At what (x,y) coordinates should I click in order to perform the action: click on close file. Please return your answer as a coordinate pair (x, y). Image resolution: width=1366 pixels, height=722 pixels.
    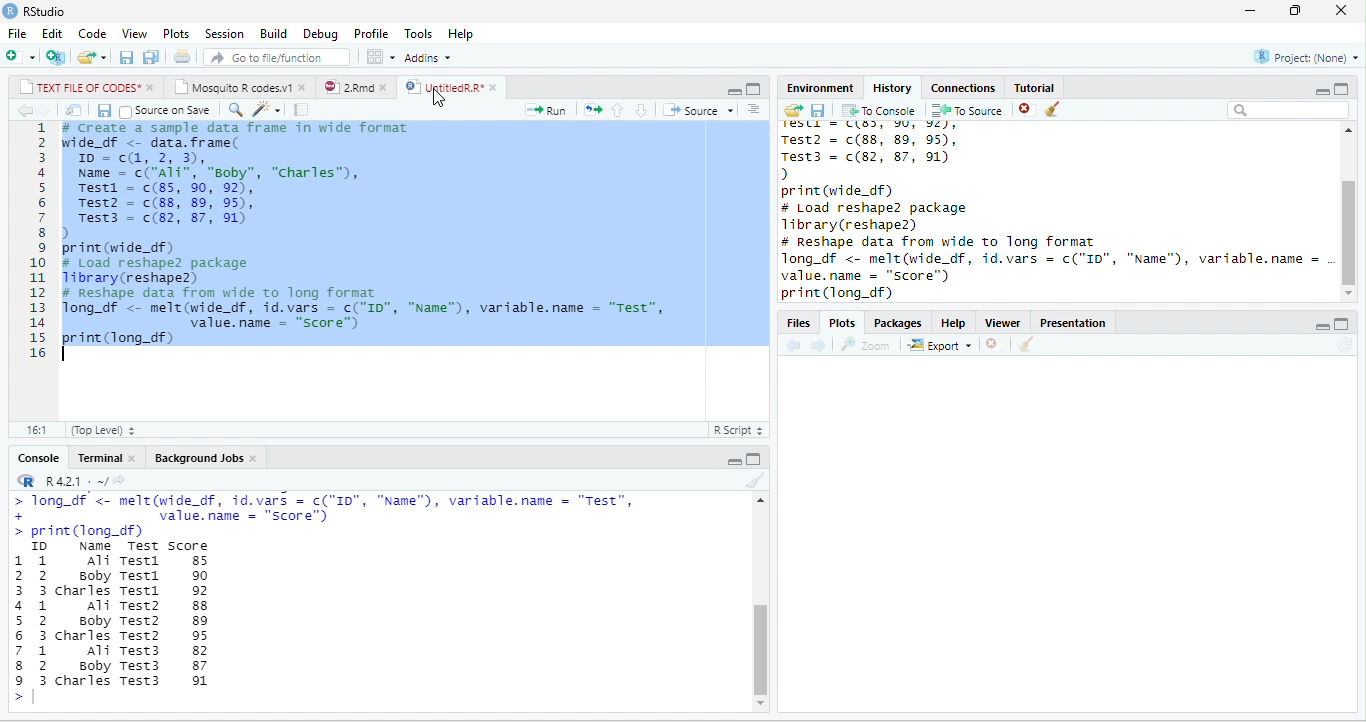
    Looking at the image, I should click on (1027, 109).